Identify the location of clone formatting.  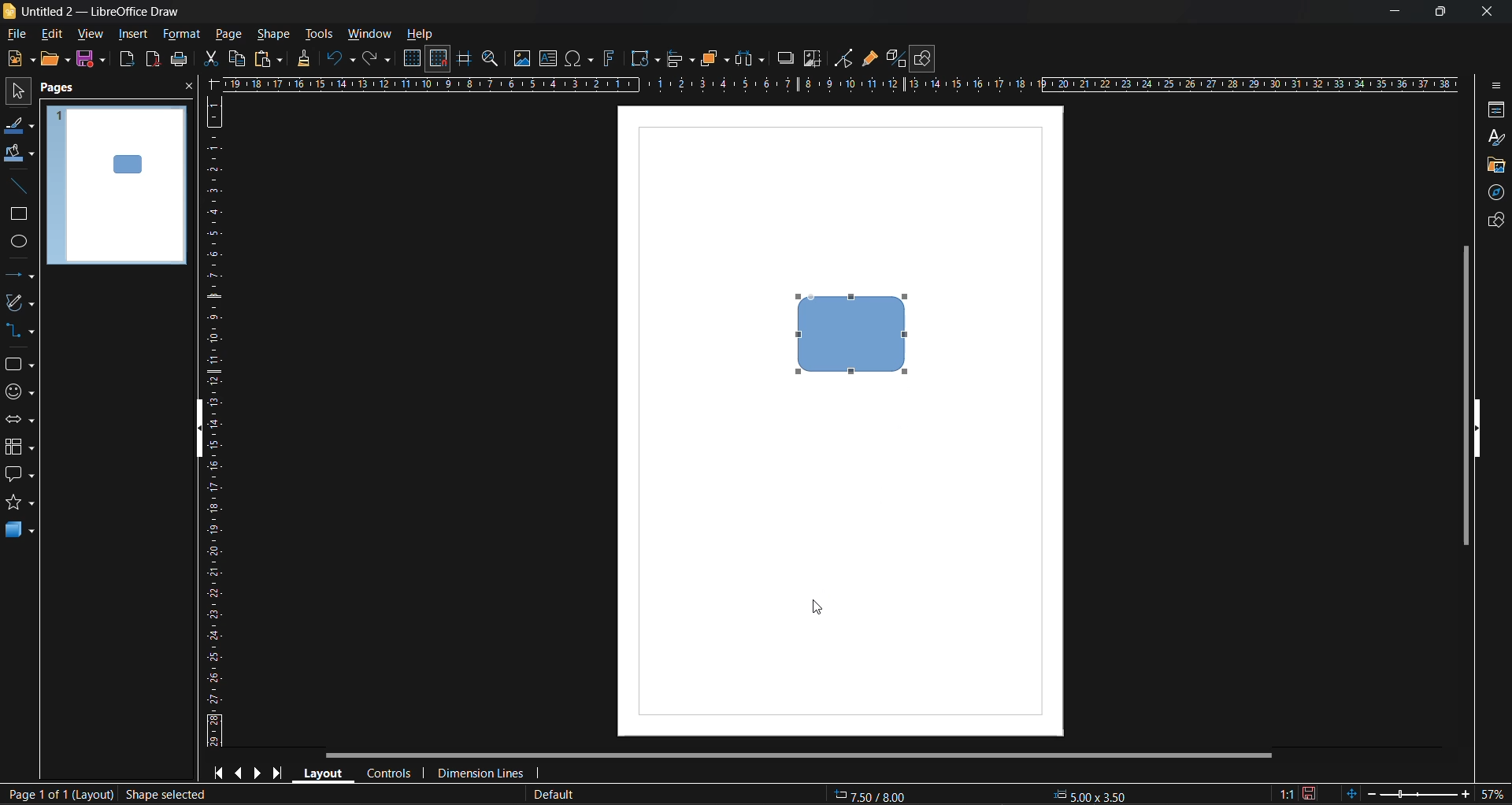
(308, 59).